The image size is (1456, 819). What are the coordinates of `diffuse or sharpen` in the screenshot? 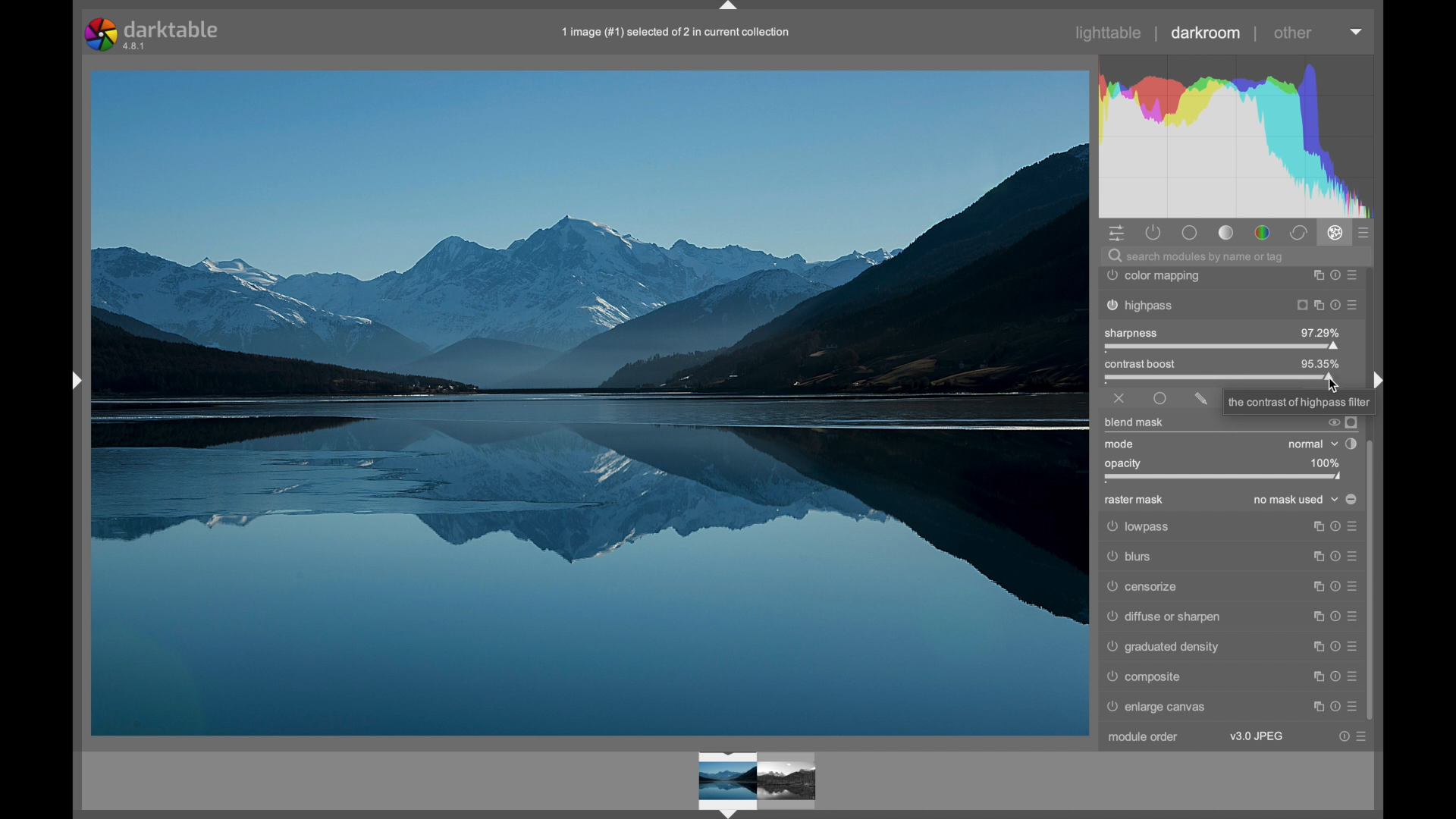 It's located at (1231, 616).